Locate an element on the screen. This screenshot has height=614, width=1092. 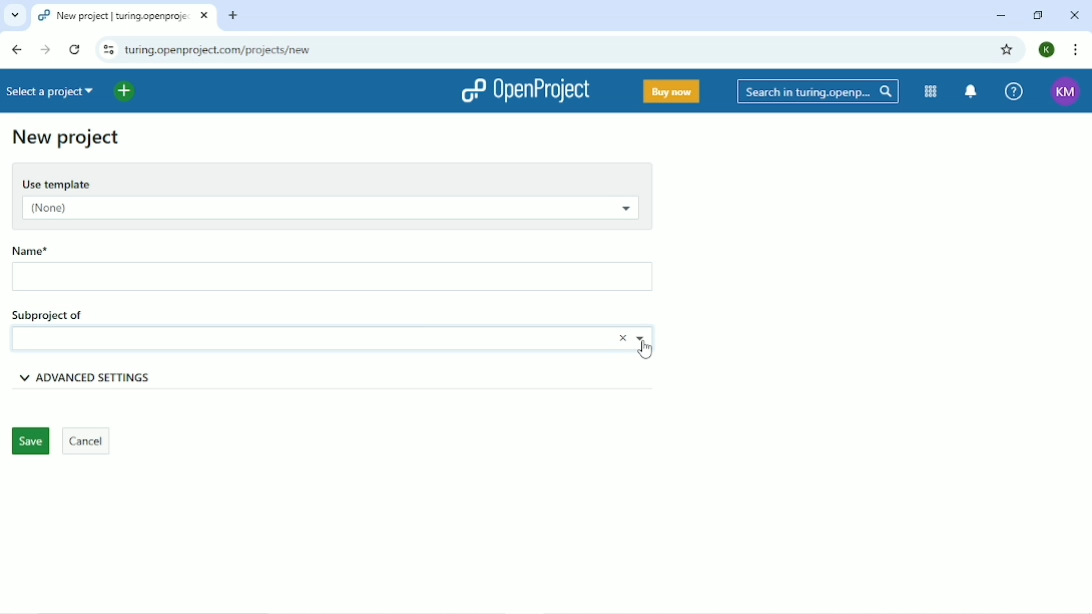
Restore down is located at coordinates (1041, 16).